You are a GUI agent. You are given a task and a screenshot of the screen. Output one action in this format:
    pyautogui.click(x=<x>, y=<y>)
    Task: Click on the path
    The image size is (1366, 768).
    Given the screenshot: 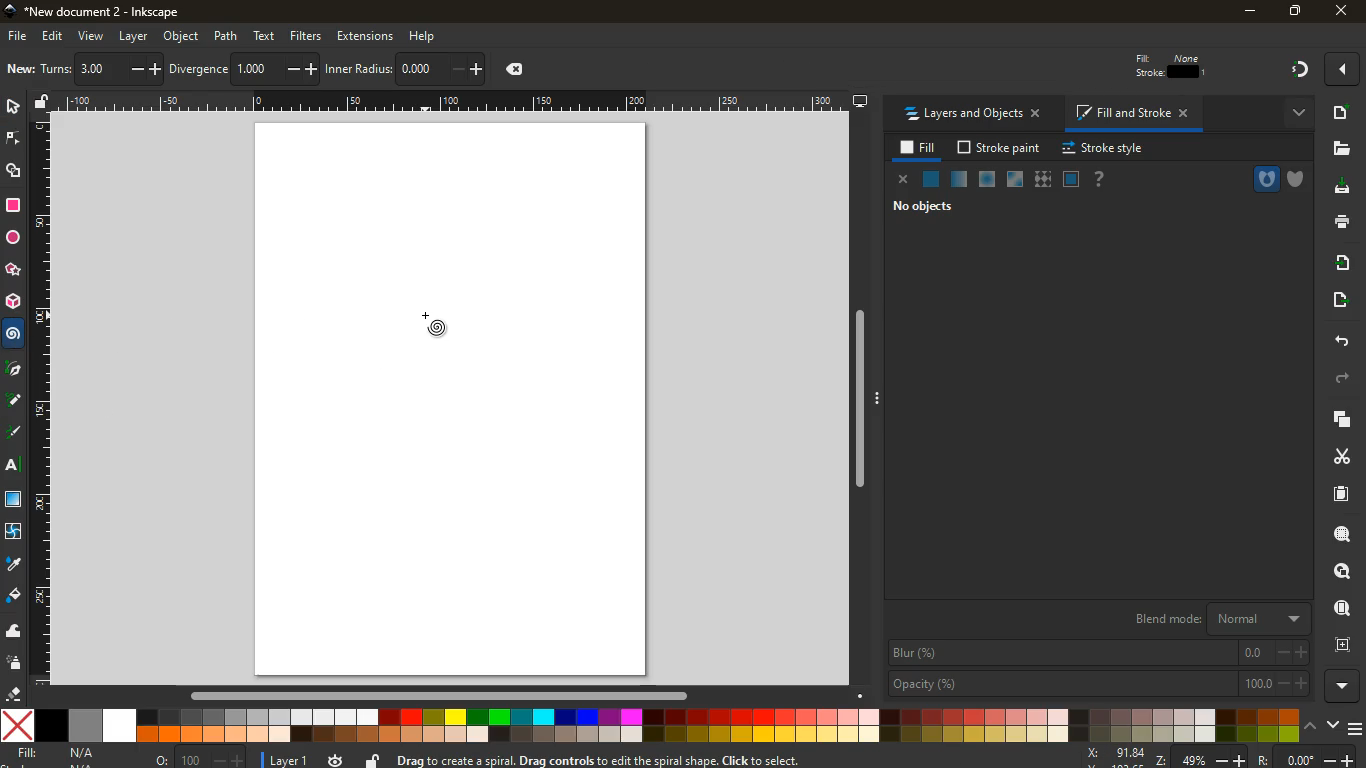 What is the action you would take?
    pyautogui.click(x=226, y=36)
    